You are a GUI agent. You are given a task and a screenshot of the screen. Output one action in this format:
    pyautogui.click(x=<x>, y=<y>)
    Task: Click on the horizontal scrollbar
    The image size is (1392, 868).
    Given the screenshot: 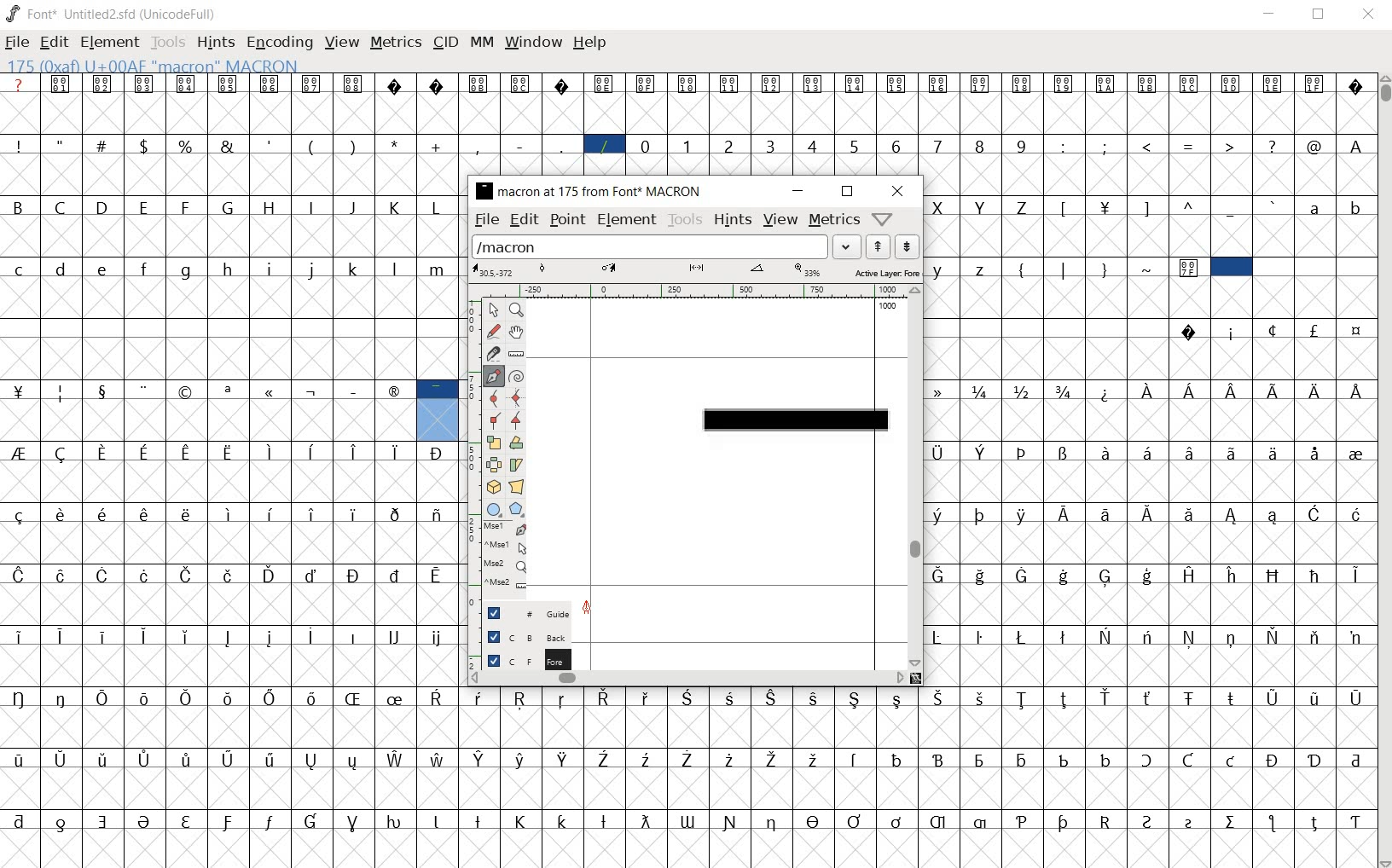 What is the action you would take?
    pyautogui.click(x=689, y=677)
    